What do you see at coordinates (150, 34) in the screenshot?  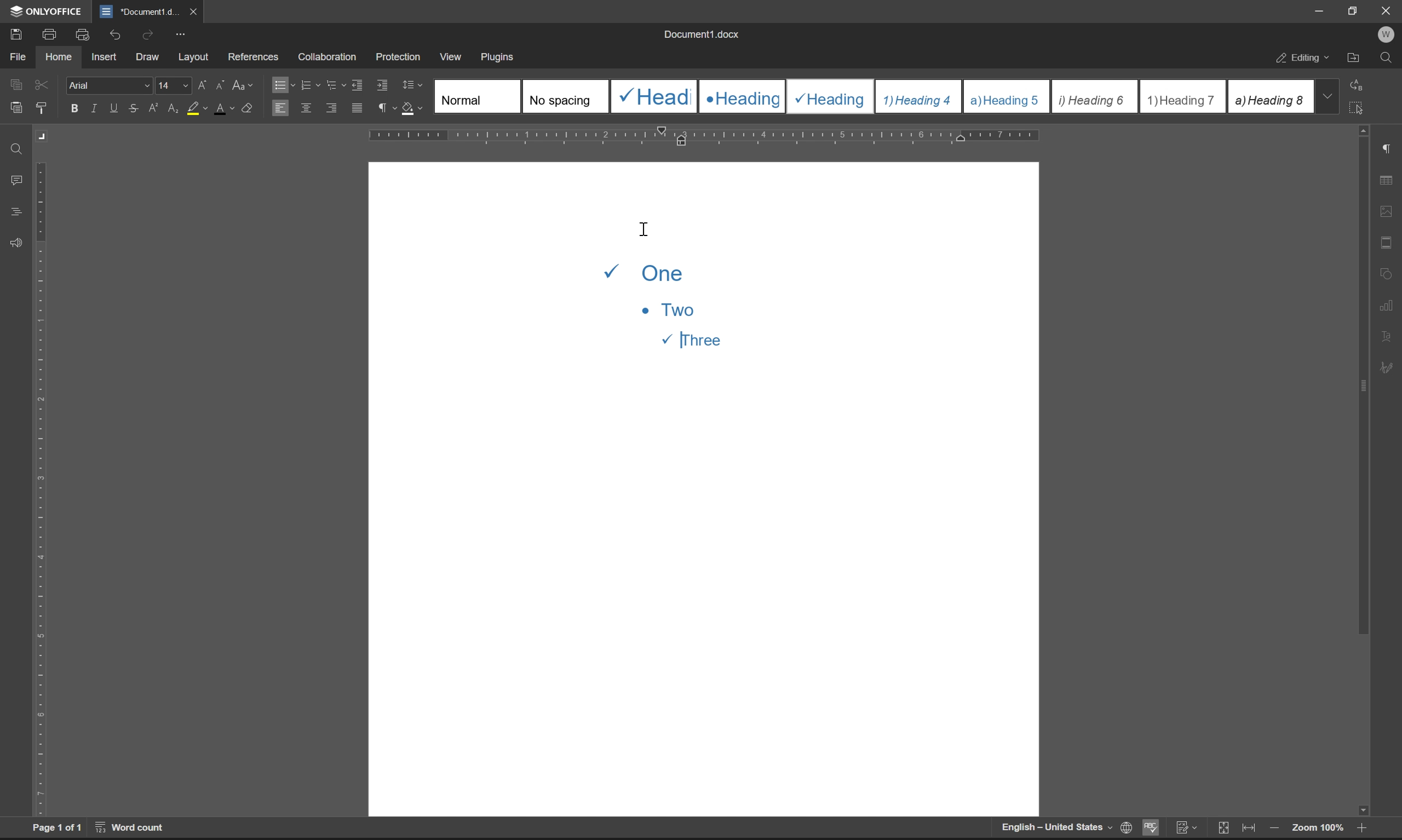 I see `redo` at bounding box center [150, 34].